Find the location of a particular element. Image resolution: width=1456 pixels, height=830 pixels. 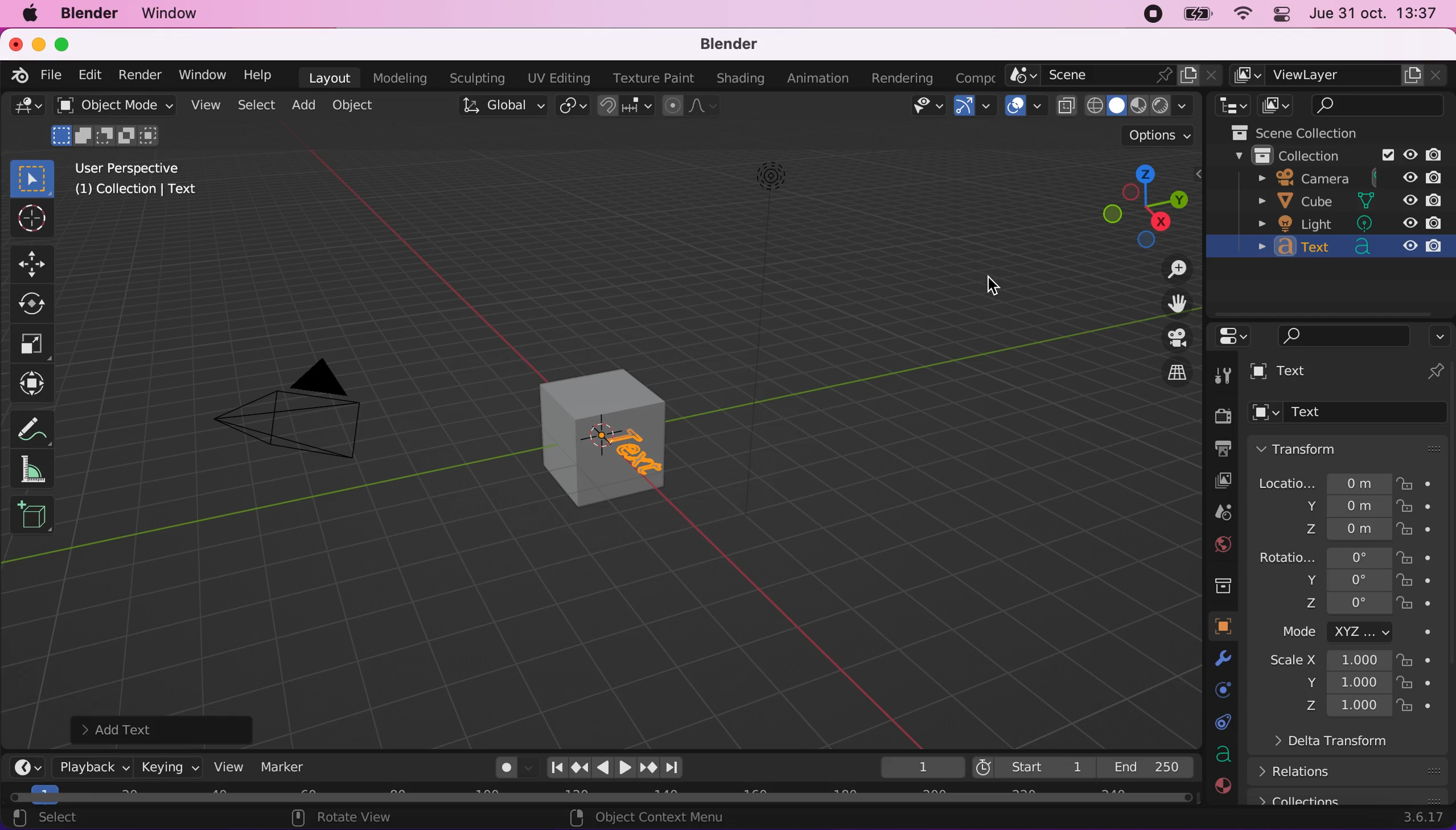

measure is located at coordinates (37, 471).